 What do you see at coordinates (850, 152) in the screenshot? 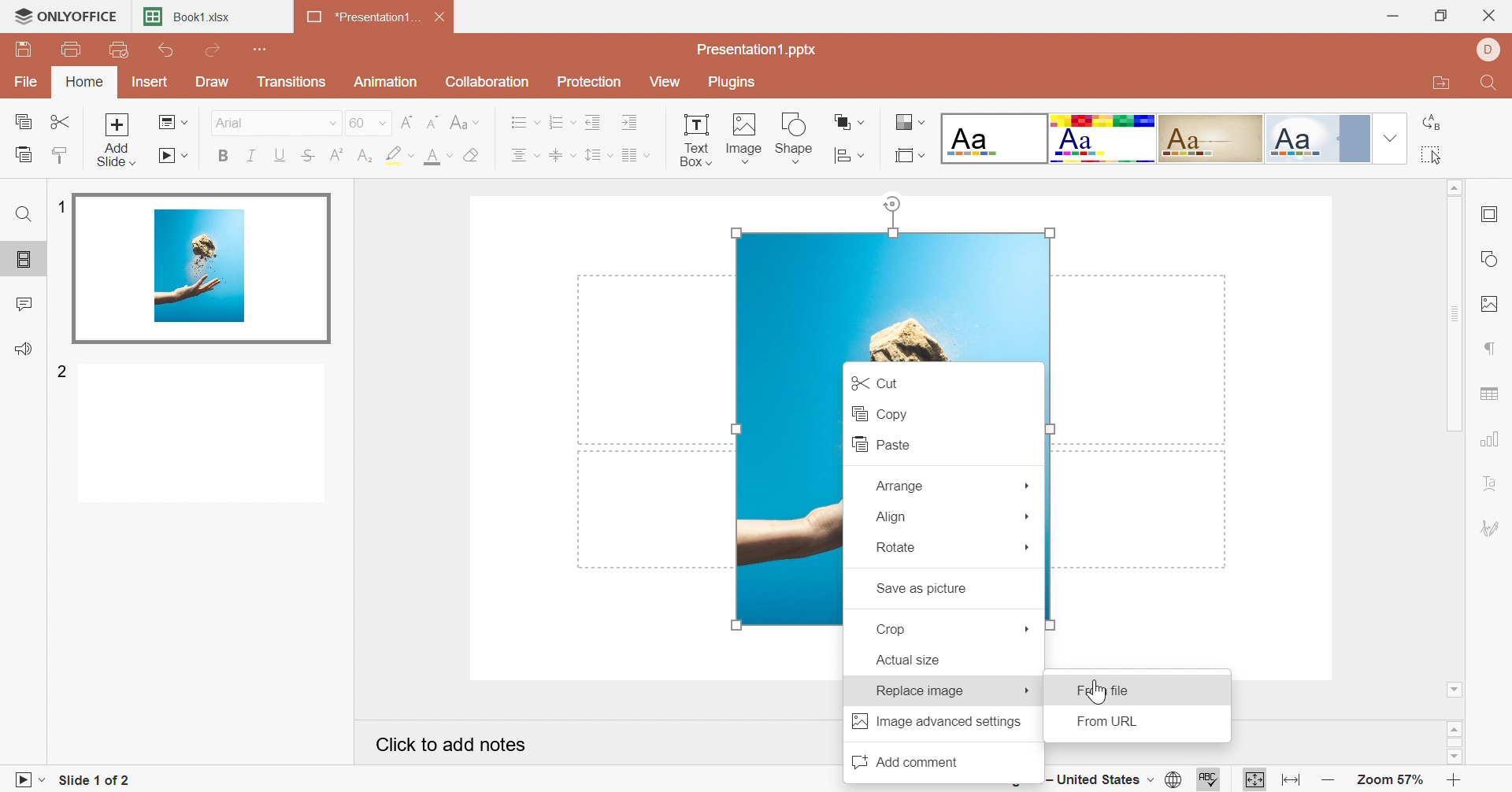
I see `Arrange shape` at bounding box center [850, 152].